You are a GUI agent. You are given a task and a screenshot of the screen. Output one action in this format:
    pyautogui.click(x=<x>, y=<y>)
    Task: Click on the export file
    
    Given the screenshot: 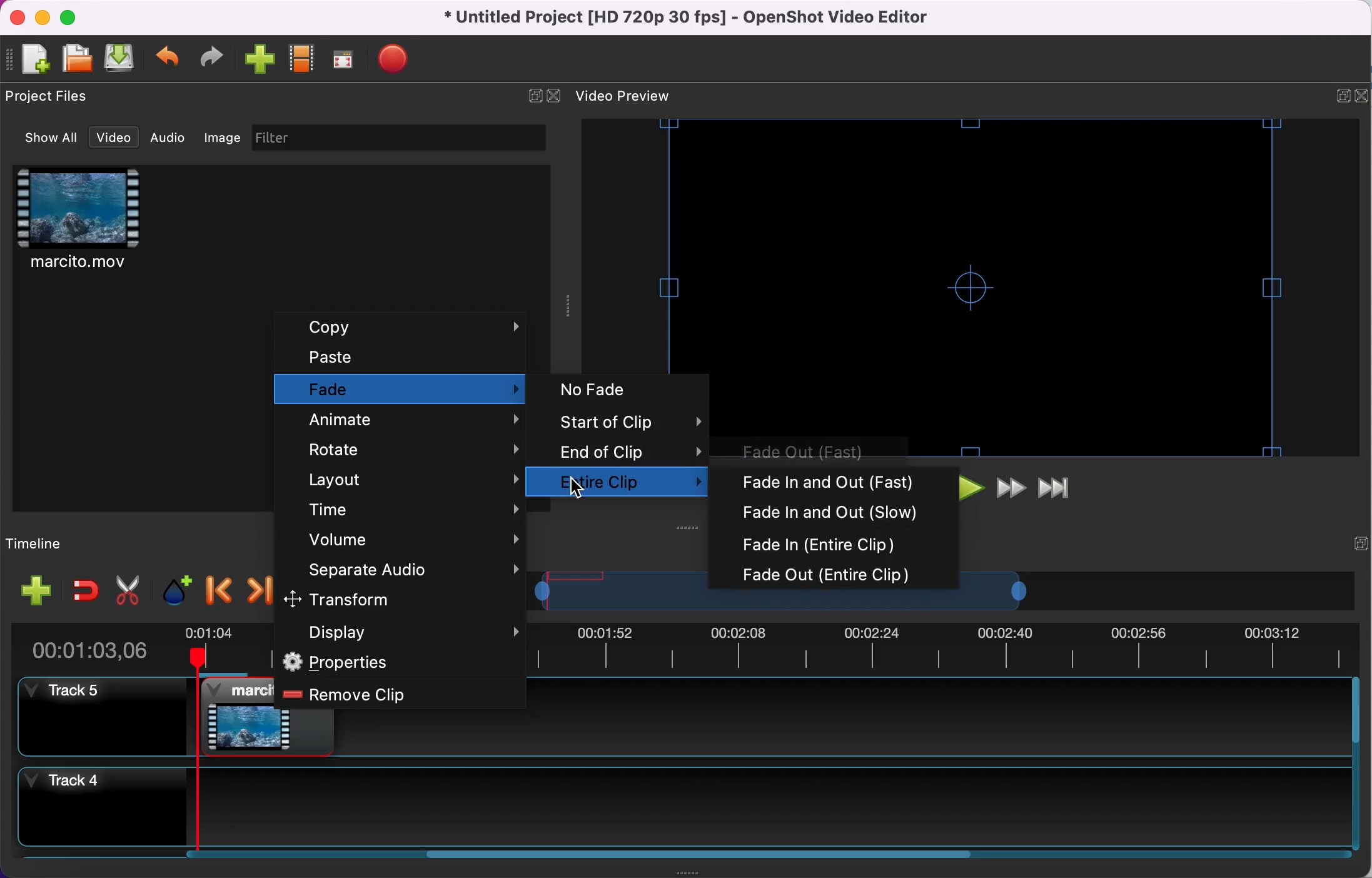 What is the action you would take?
    pyautogui.click(x=408, y=59)
    